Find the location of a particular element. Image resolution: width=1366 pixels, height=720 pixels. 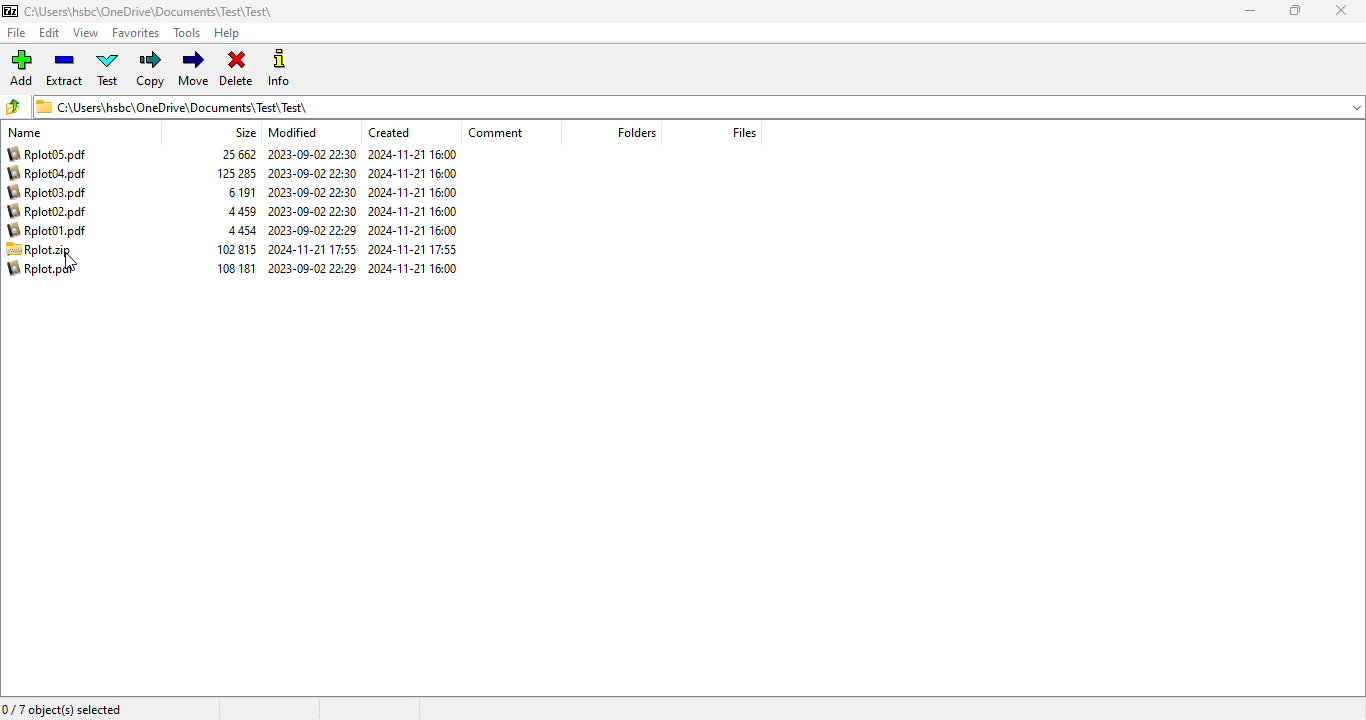

favorites is located at coordinates (137, 33).